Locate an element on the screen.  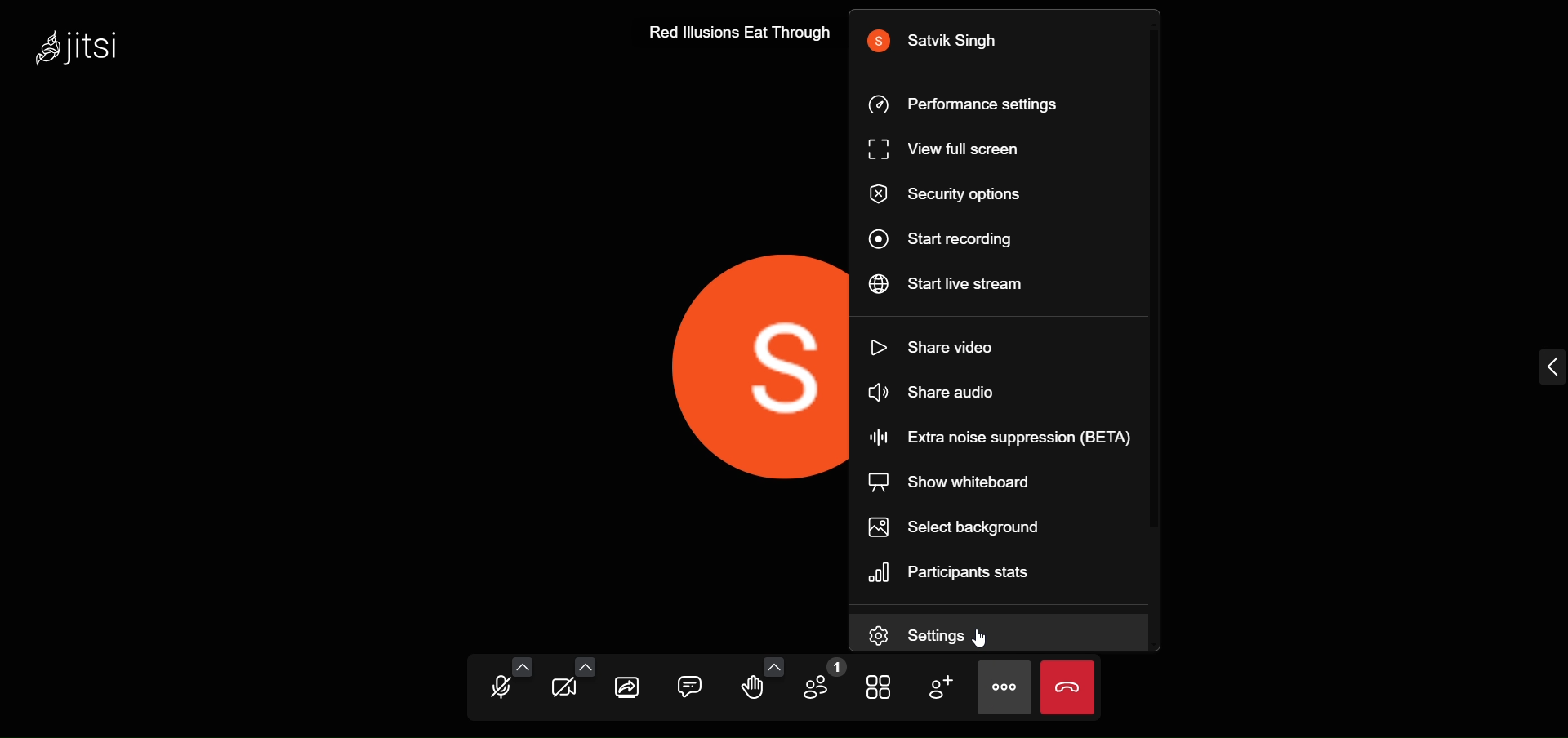
view full screen is located at coordinates (942, 150).